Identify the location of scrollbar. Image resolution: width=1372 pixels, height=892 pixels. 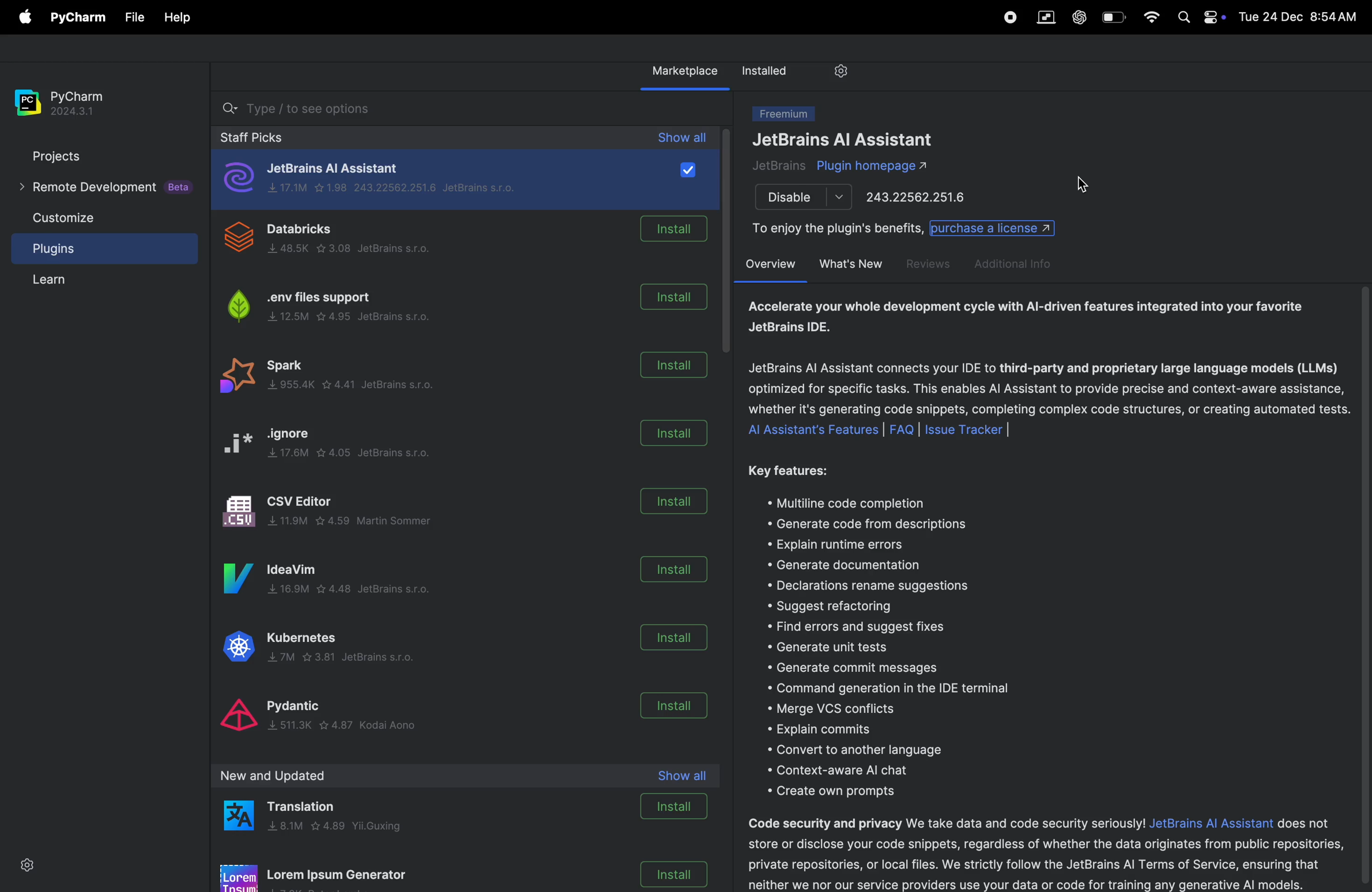
(727, 245).